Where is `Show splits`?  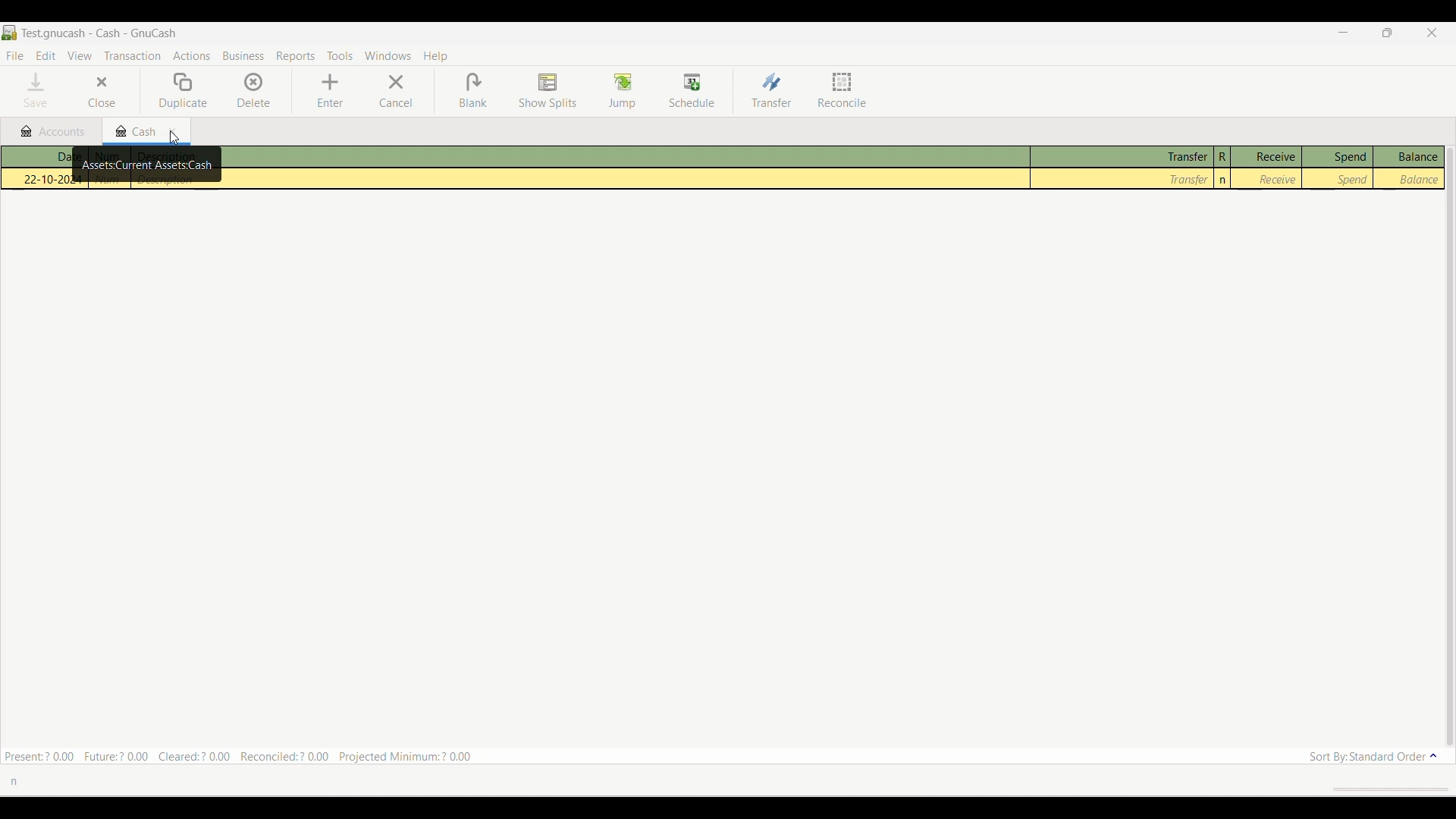 Show splits is located at coordinates (548, 91).